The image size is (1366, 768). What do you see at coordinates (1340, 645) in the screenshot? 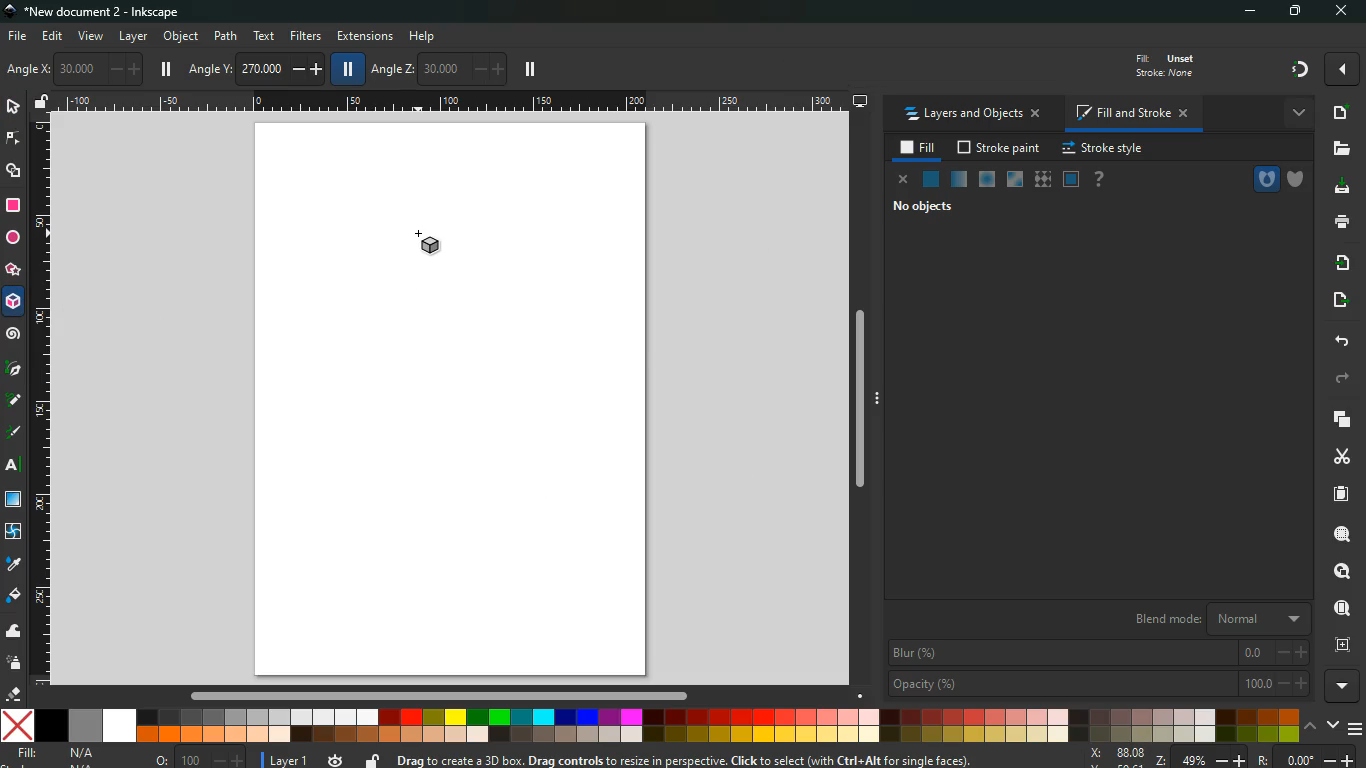
I see `frame` at bounding box center [1340, 645].